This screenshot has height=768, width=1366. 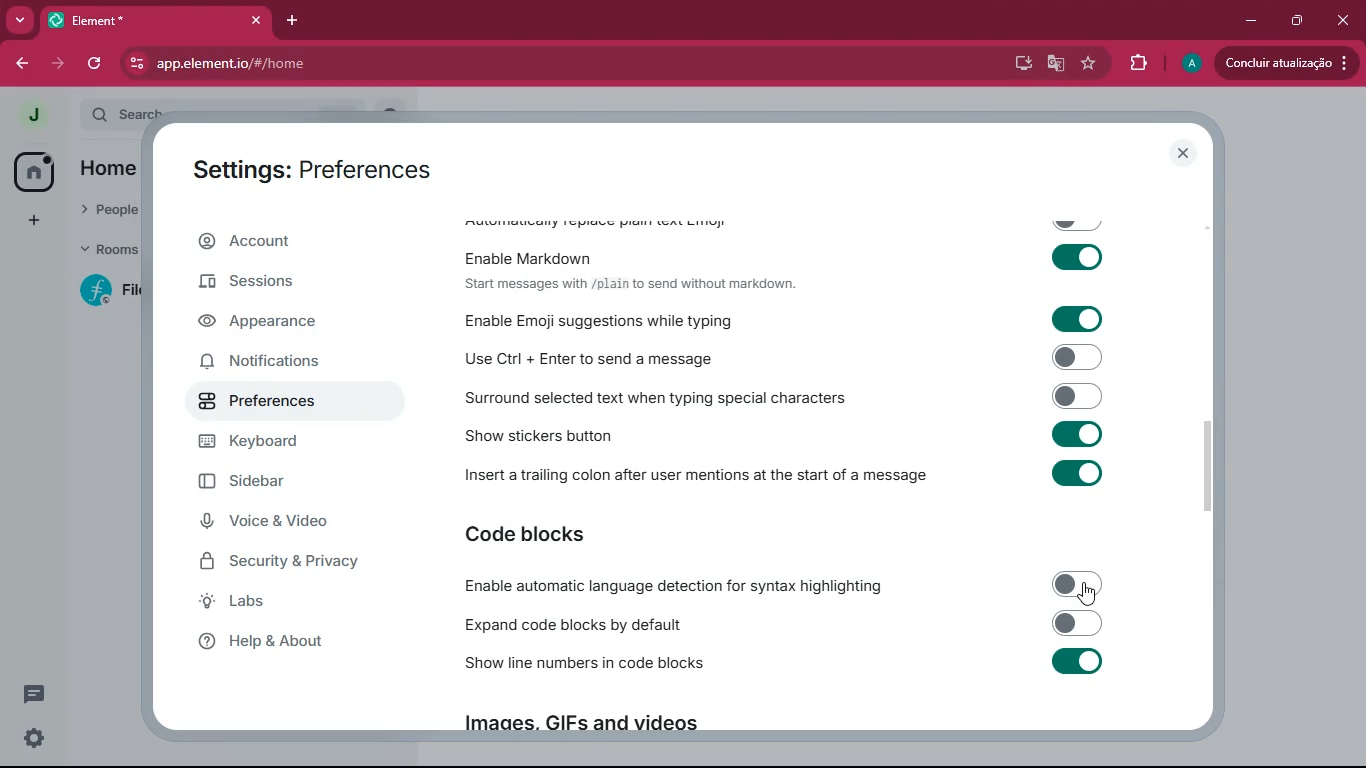 What do you see at coordinates (97, 63) in the screenshot?
I see `refresh` at bounding box center [97, 63].